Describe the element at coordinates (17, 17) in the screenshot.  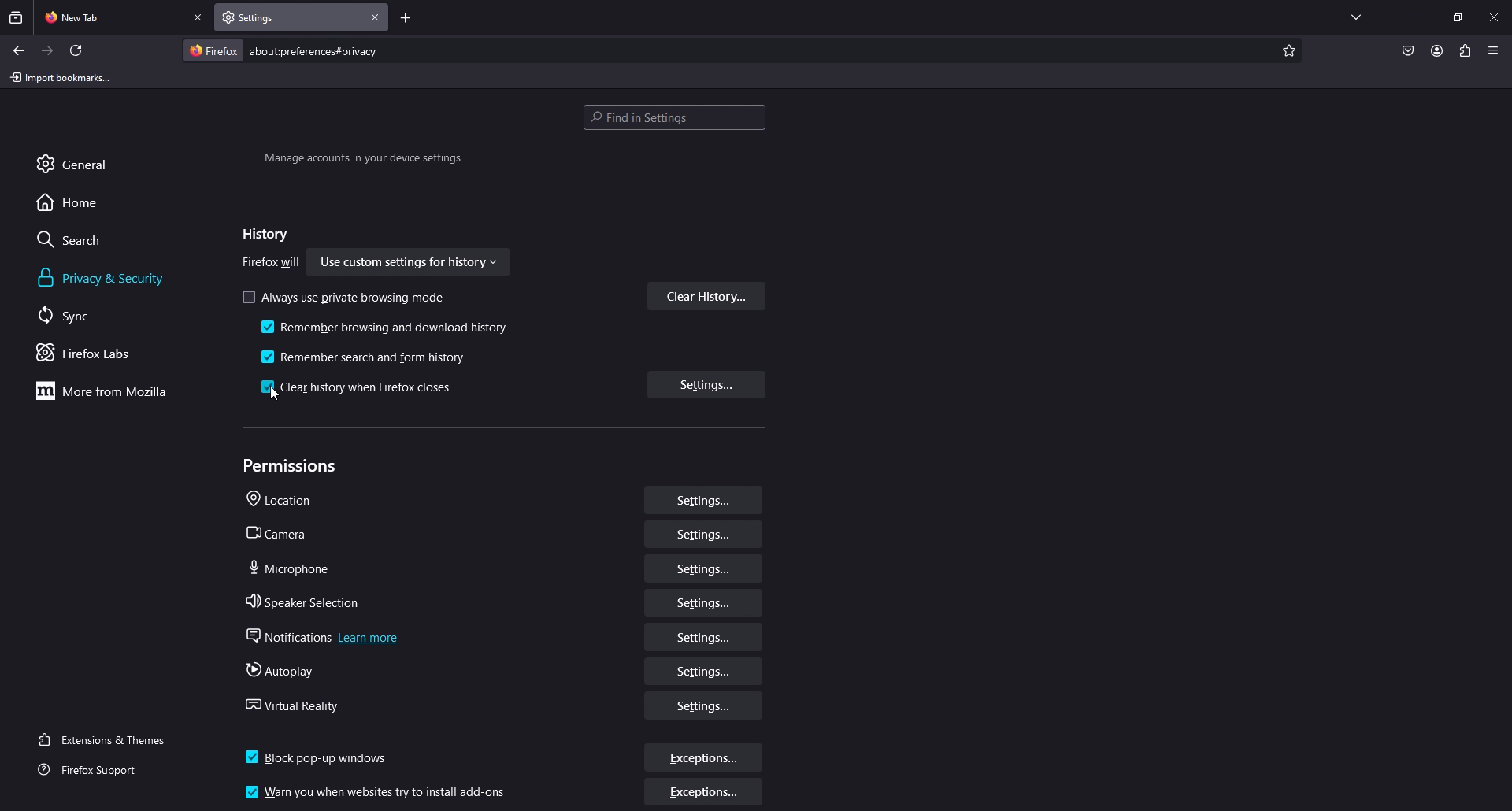
I see `recent browsing` at that location.